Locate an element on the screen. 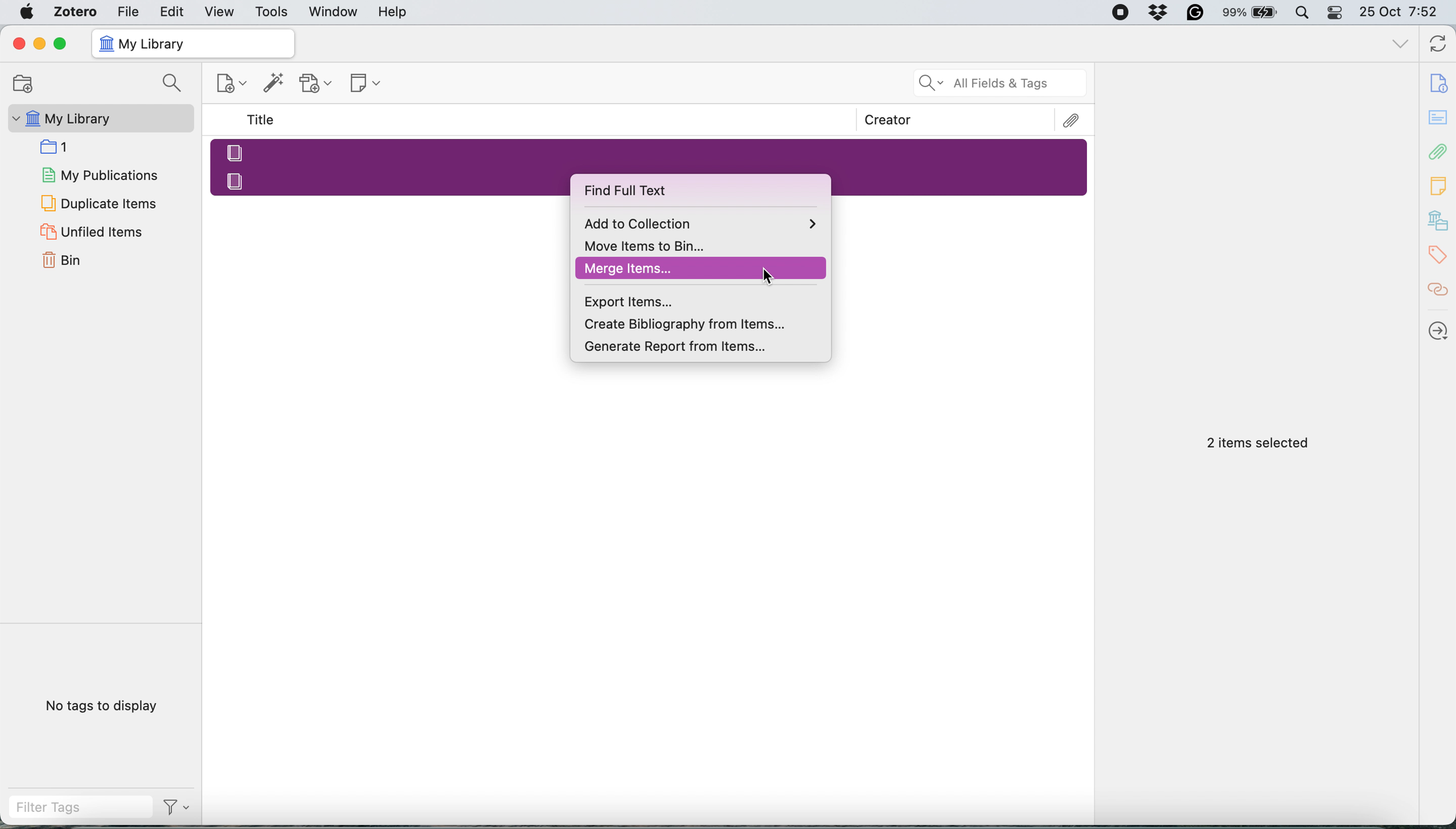 This screenshot has height=829, width=1456. Unfiled Items is located at coordinates (94, 231).